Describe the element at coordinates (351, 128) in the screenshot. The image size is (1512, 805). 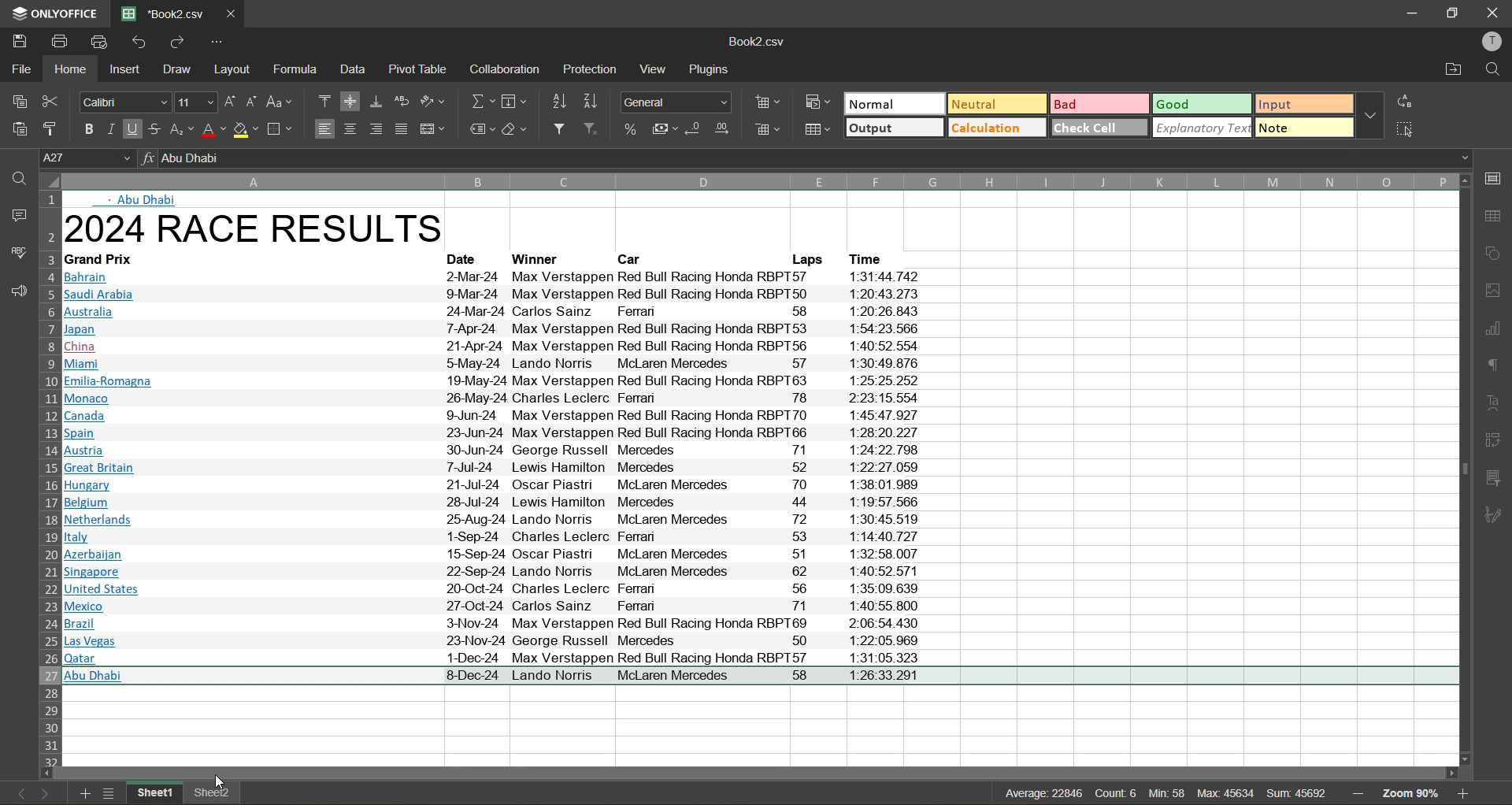
I see `align center` at that location.